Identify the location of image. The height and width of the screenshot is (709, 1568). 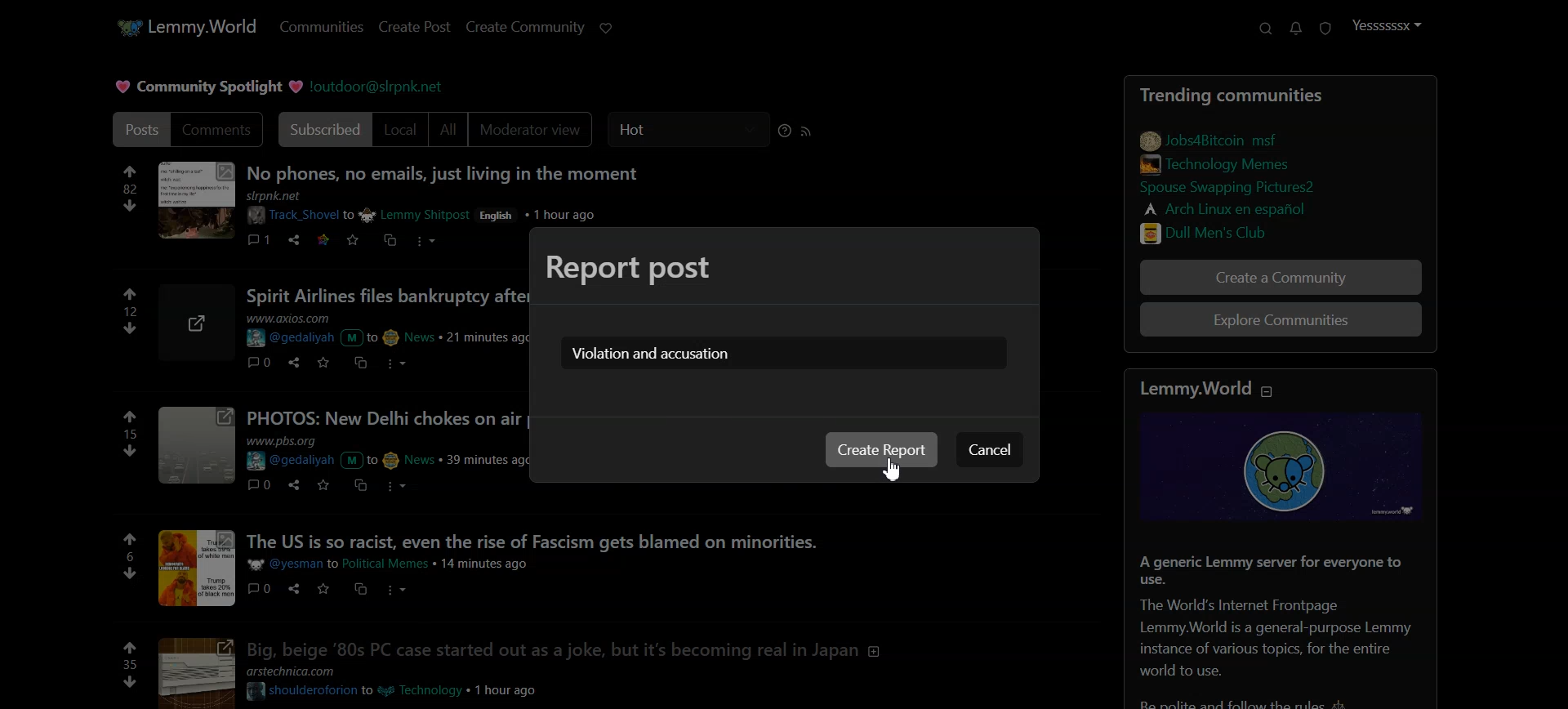
(193, 672).